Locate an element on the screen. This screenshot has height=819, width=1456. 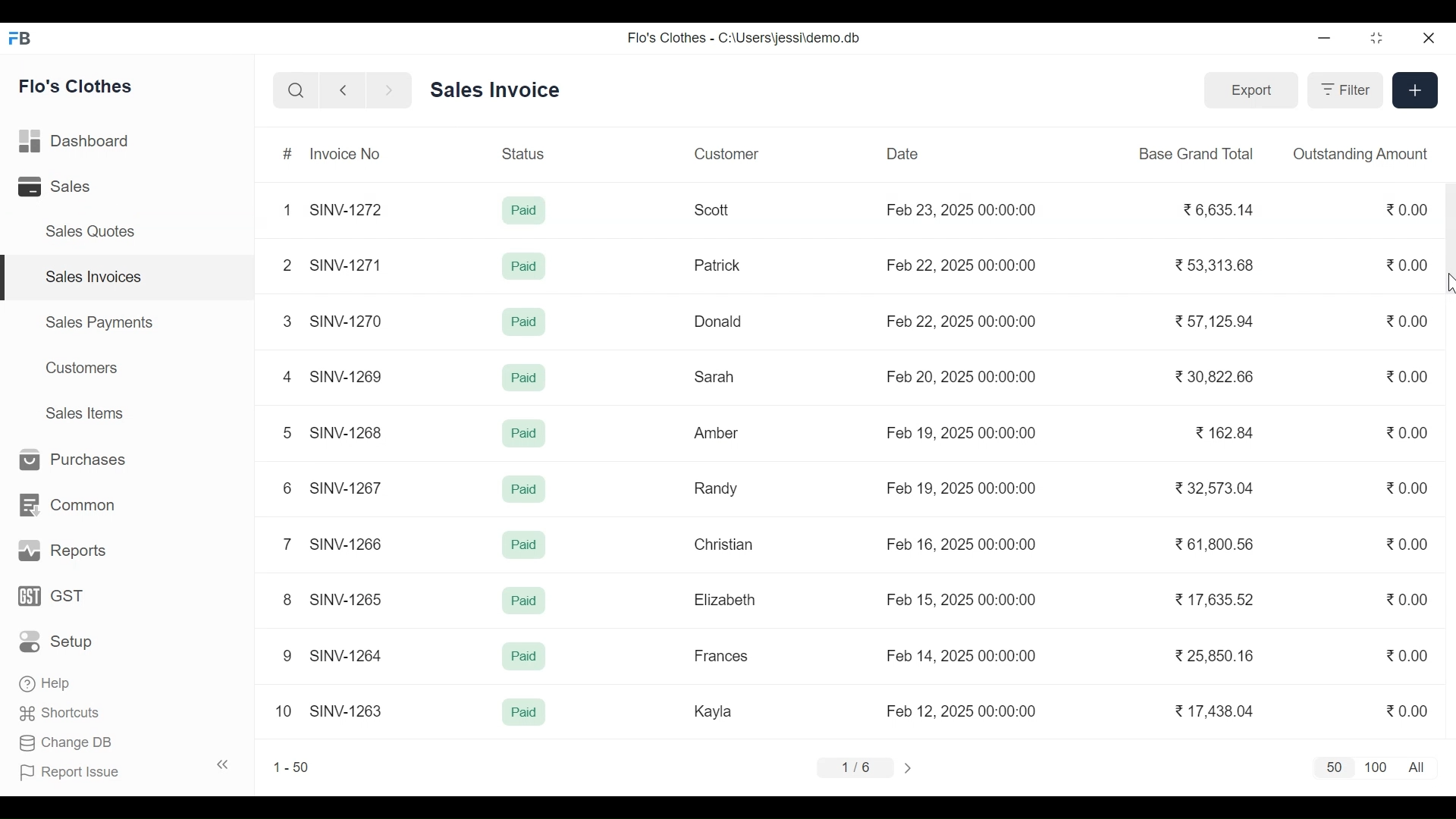
Sales Payments is located at coordinates (100, 322).